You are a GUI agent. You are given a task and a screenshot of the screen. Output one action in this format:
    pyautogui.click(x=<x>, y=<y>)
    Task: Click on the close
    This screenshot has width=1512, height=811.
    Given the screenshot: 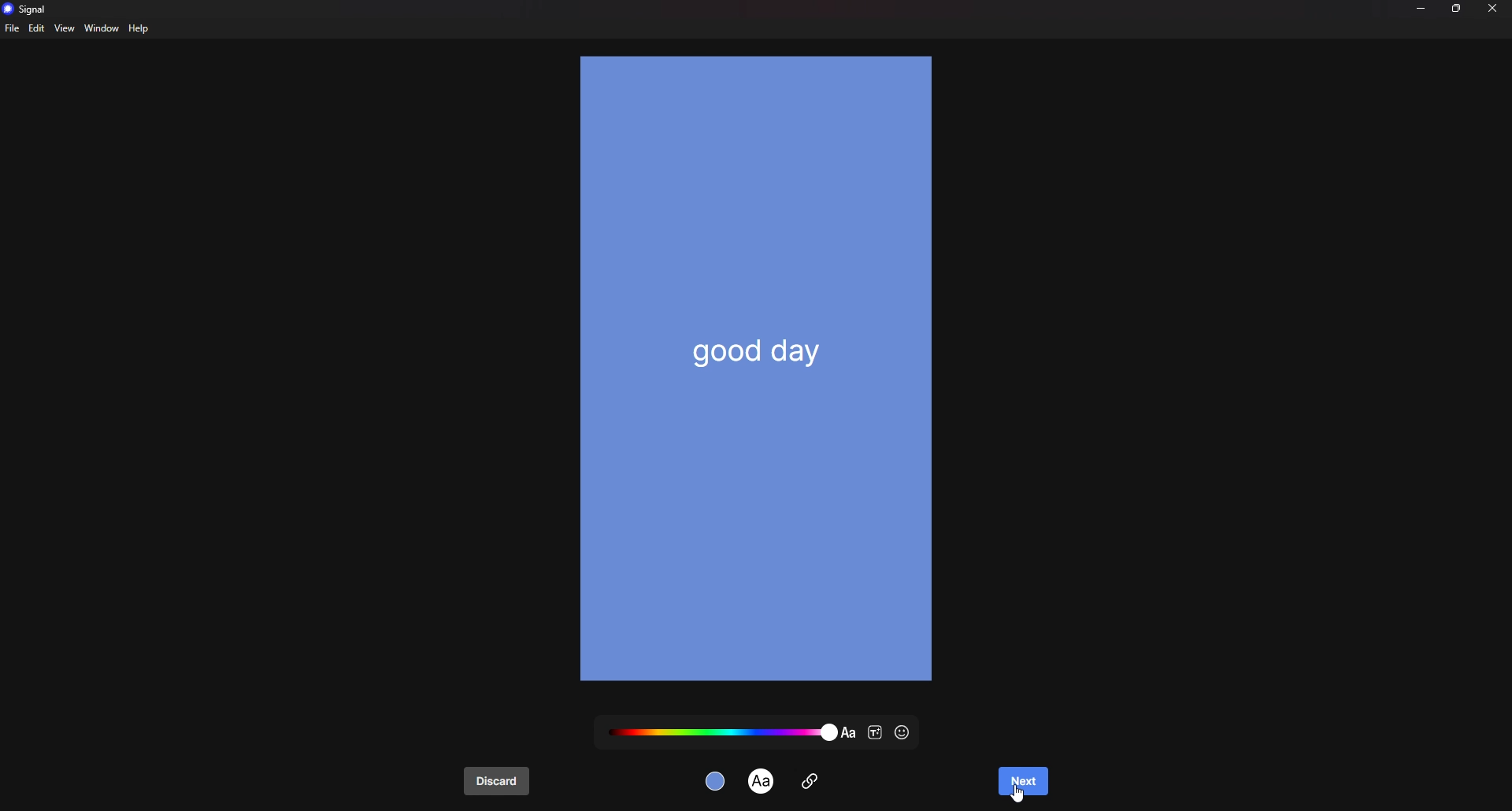 What is the action you would take?
    pyautogui.click(x=1493, y=8)
    